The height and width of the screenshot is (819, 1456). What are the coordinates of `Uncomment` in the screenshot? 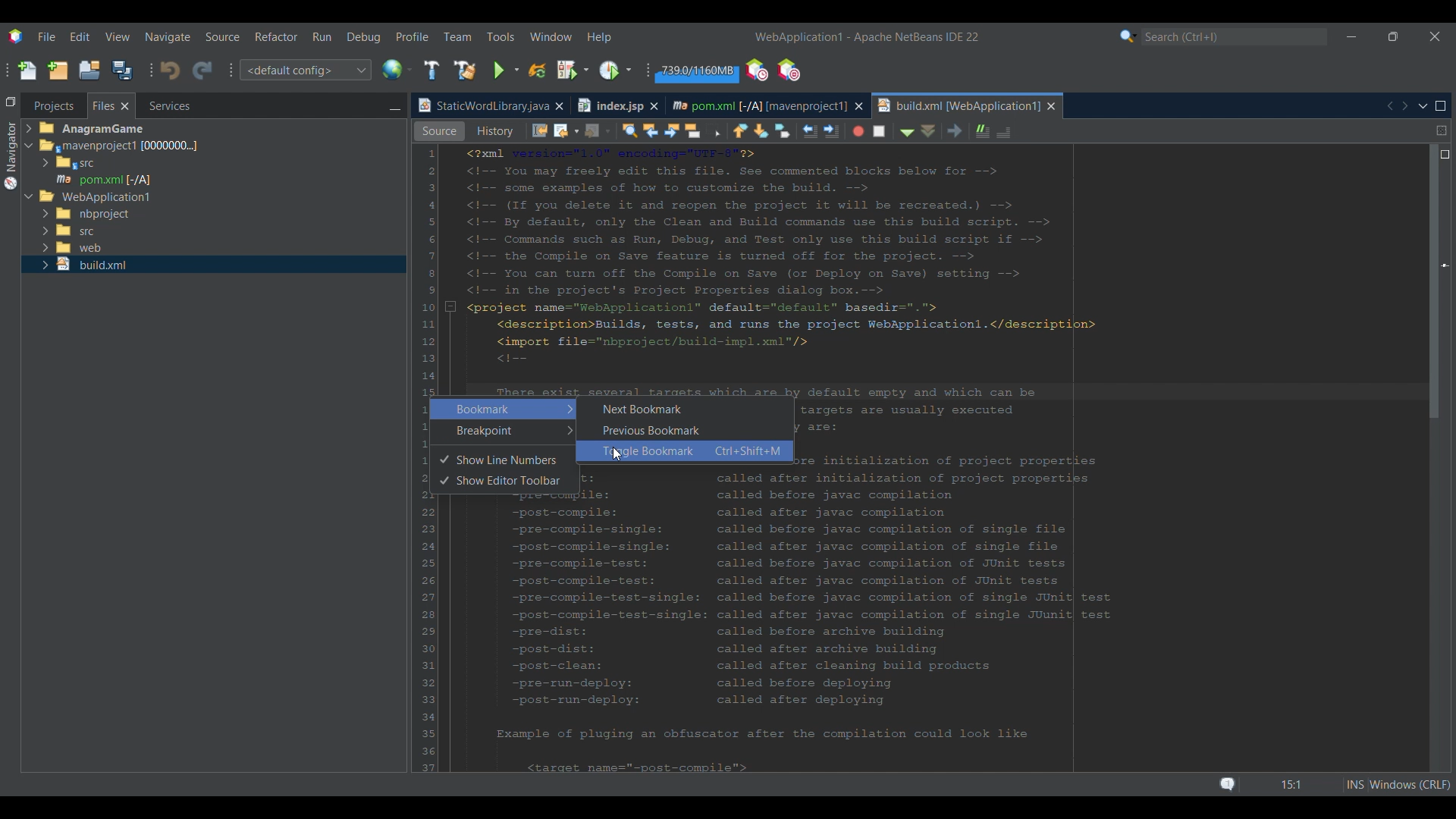 It's located at (1146, 130).